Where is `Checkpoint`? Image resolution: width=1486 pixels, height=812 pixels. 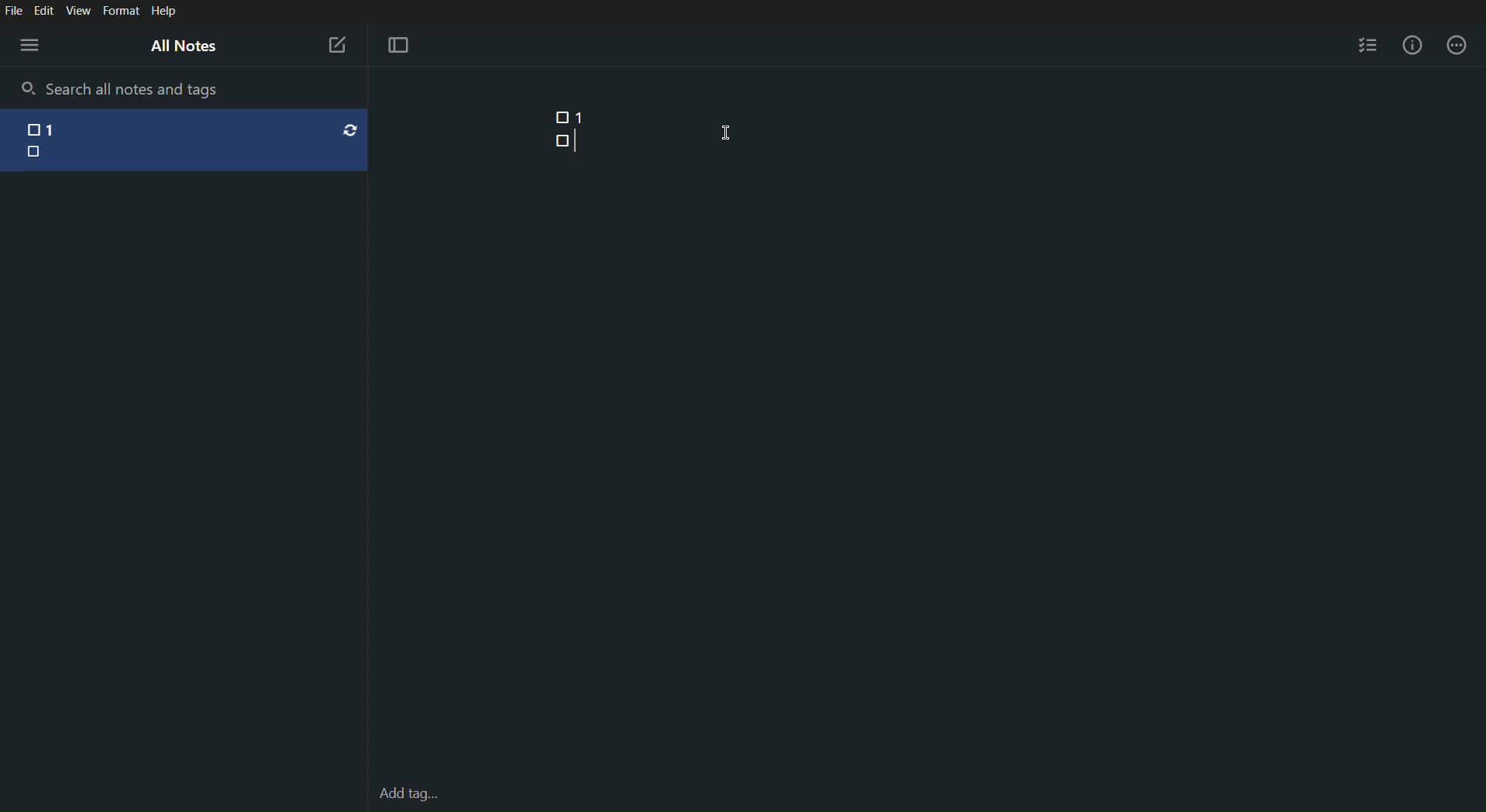 Checkpoint is located at coordinates (561, 140).